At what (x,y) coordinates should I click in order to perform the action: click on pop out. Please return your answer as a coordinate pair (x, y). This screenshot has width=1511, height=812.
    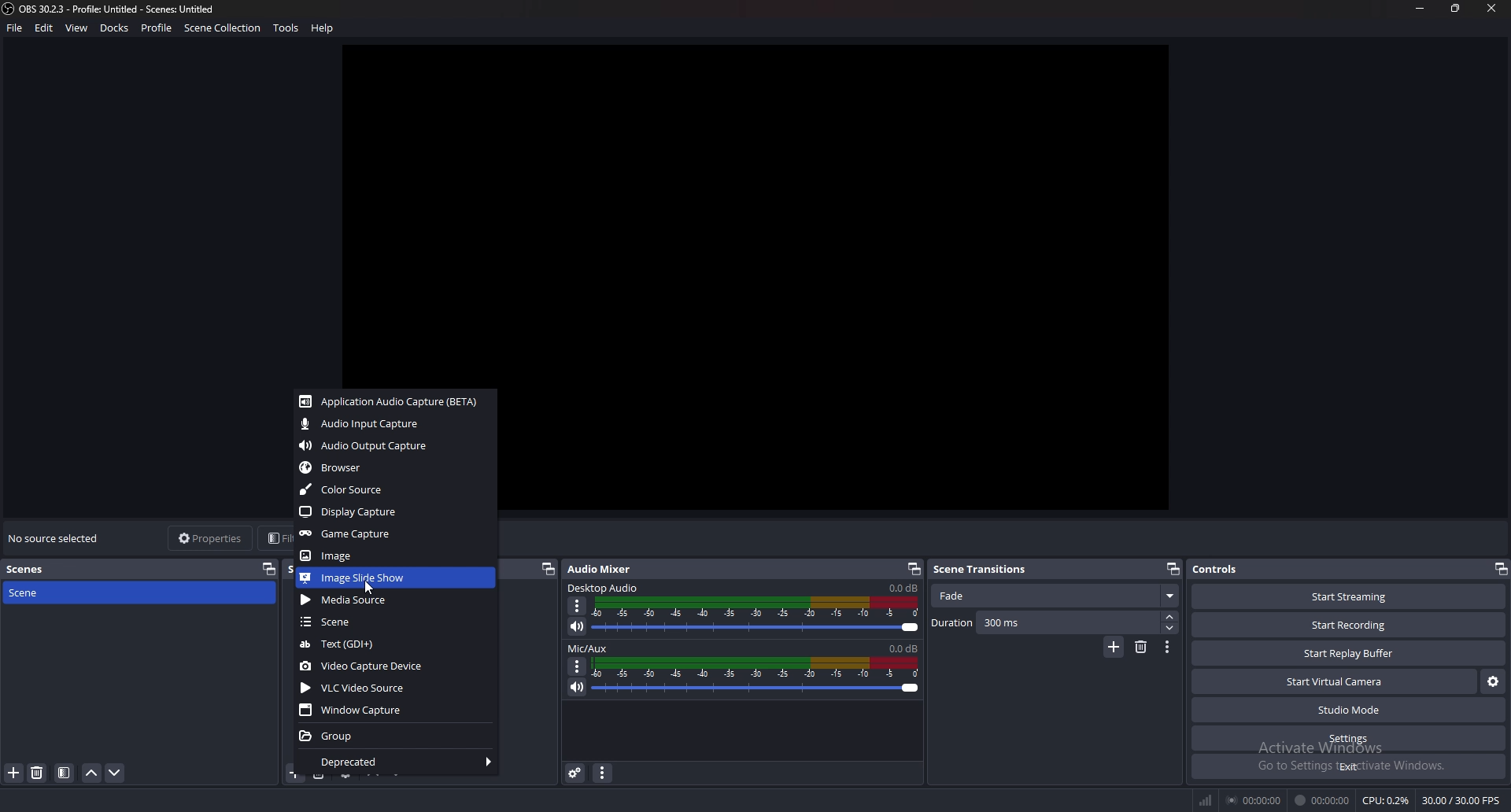
    Looking at the image, I should click on (911, 570).